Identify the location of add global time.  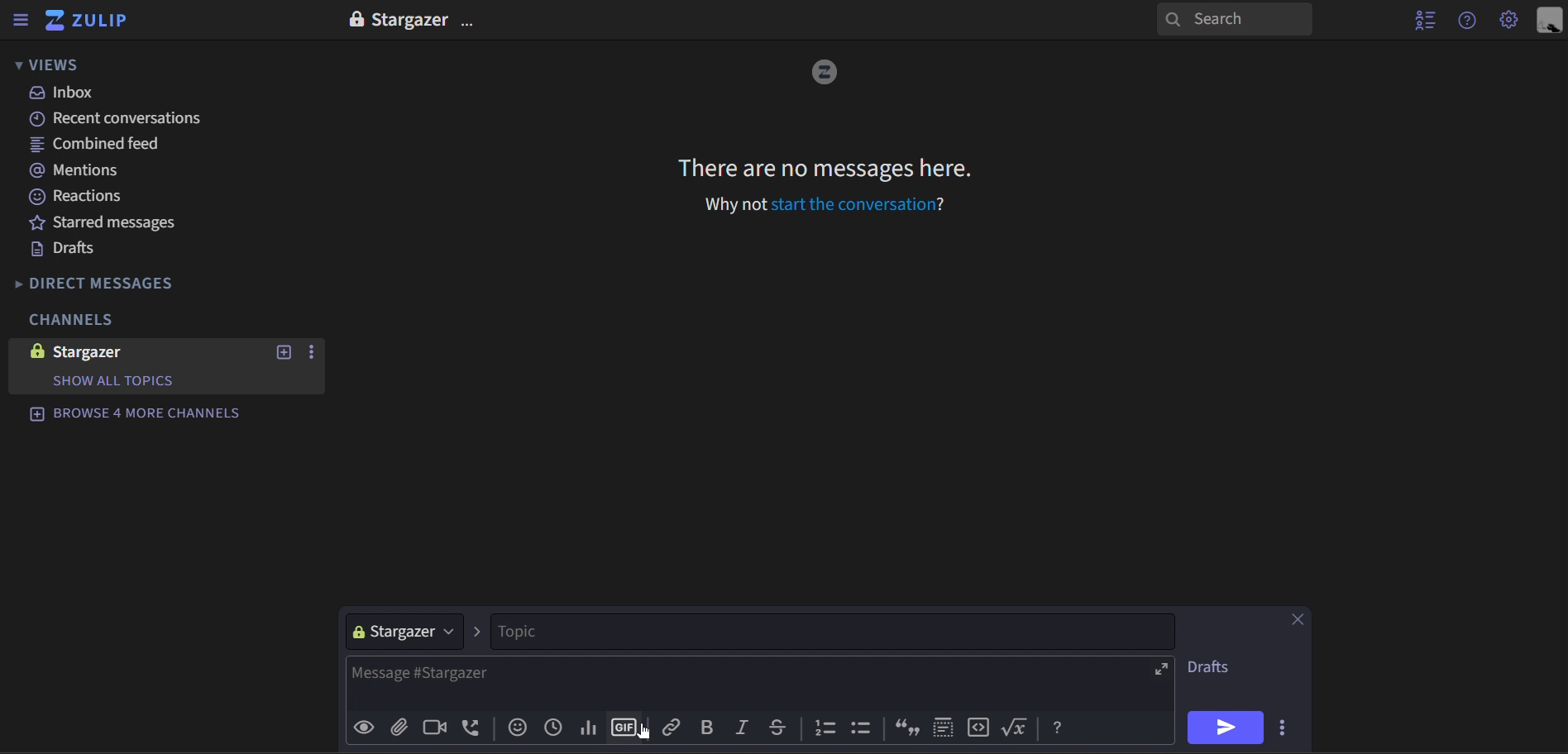
(552, 728).